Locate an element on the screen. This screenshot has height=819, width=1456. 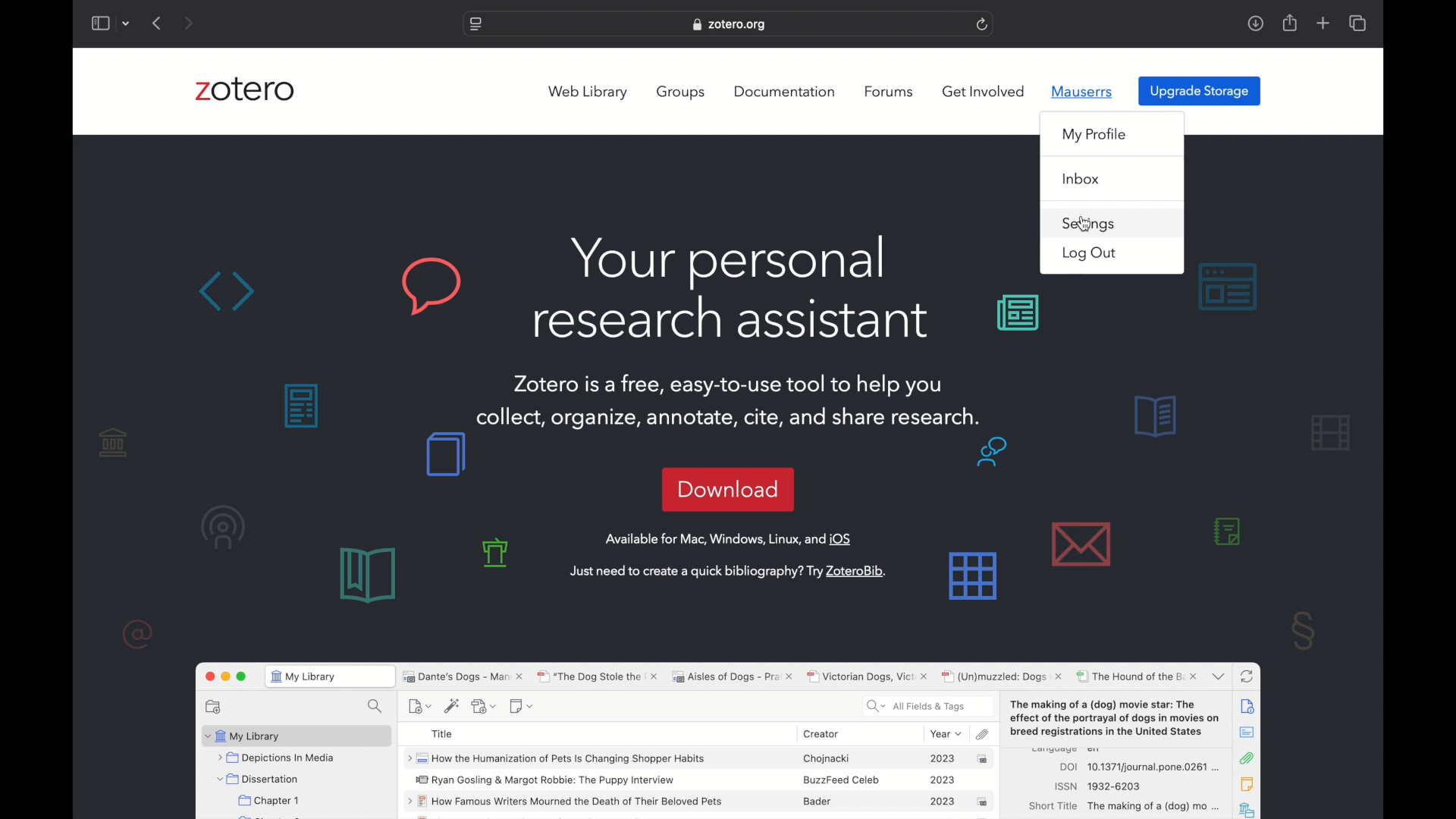
mauserrs is located at coordinates (1084, 92).